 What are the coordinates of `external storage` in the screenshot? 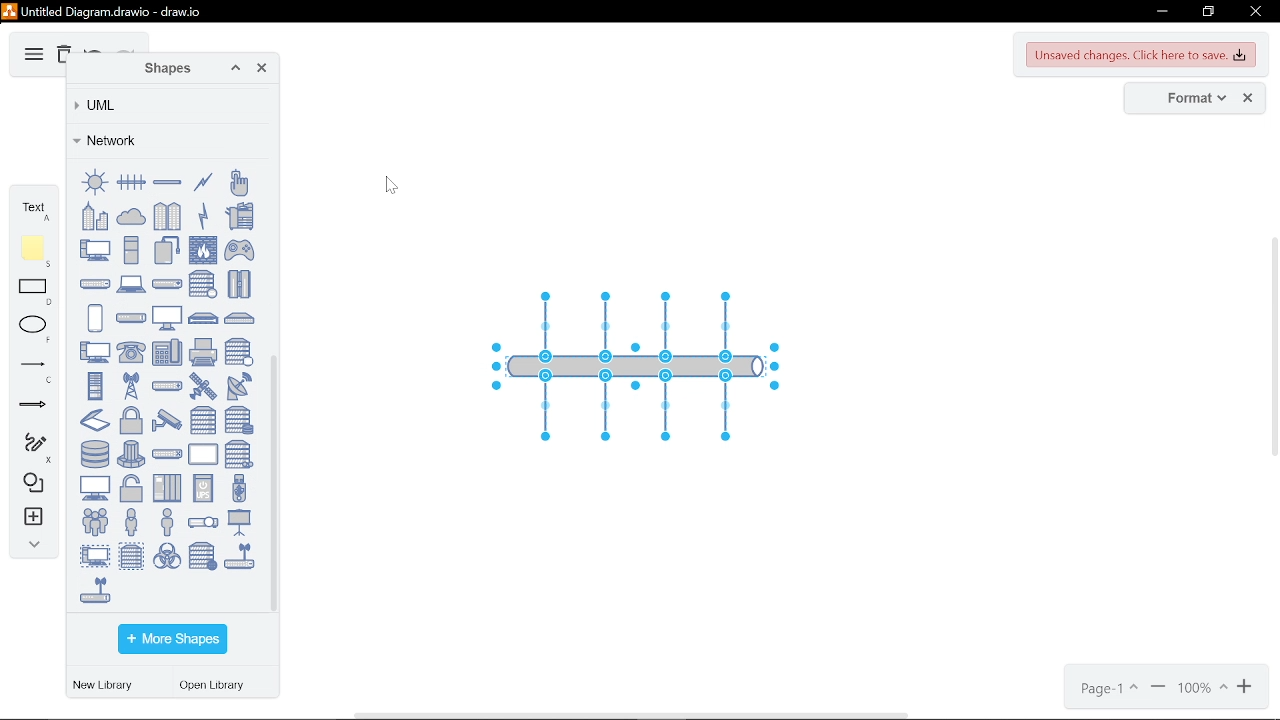 It's located at (167, 249).